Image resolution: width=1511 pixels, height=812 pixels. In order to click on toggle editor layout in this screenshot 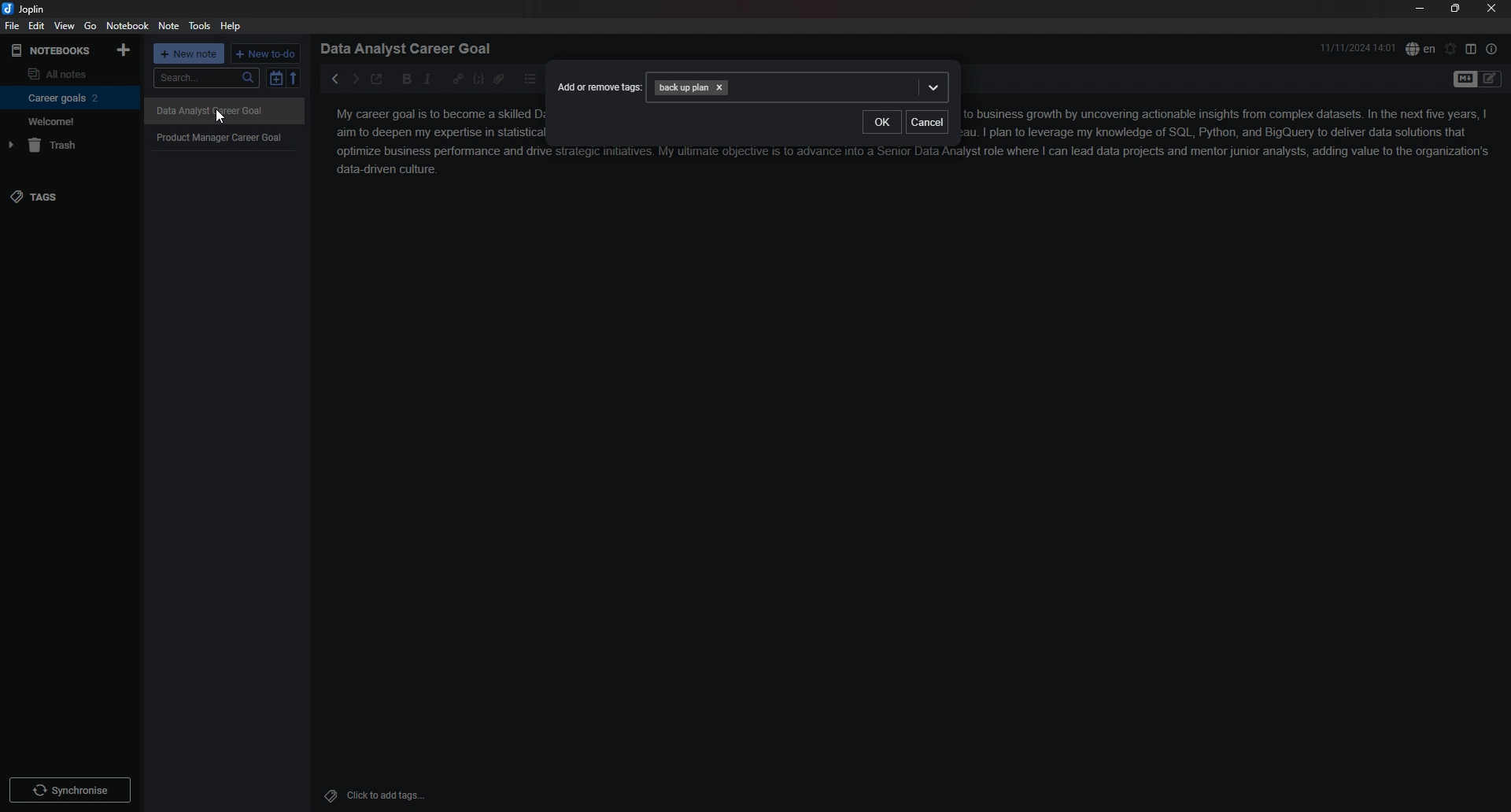, I will do `click(1471, 48)`.